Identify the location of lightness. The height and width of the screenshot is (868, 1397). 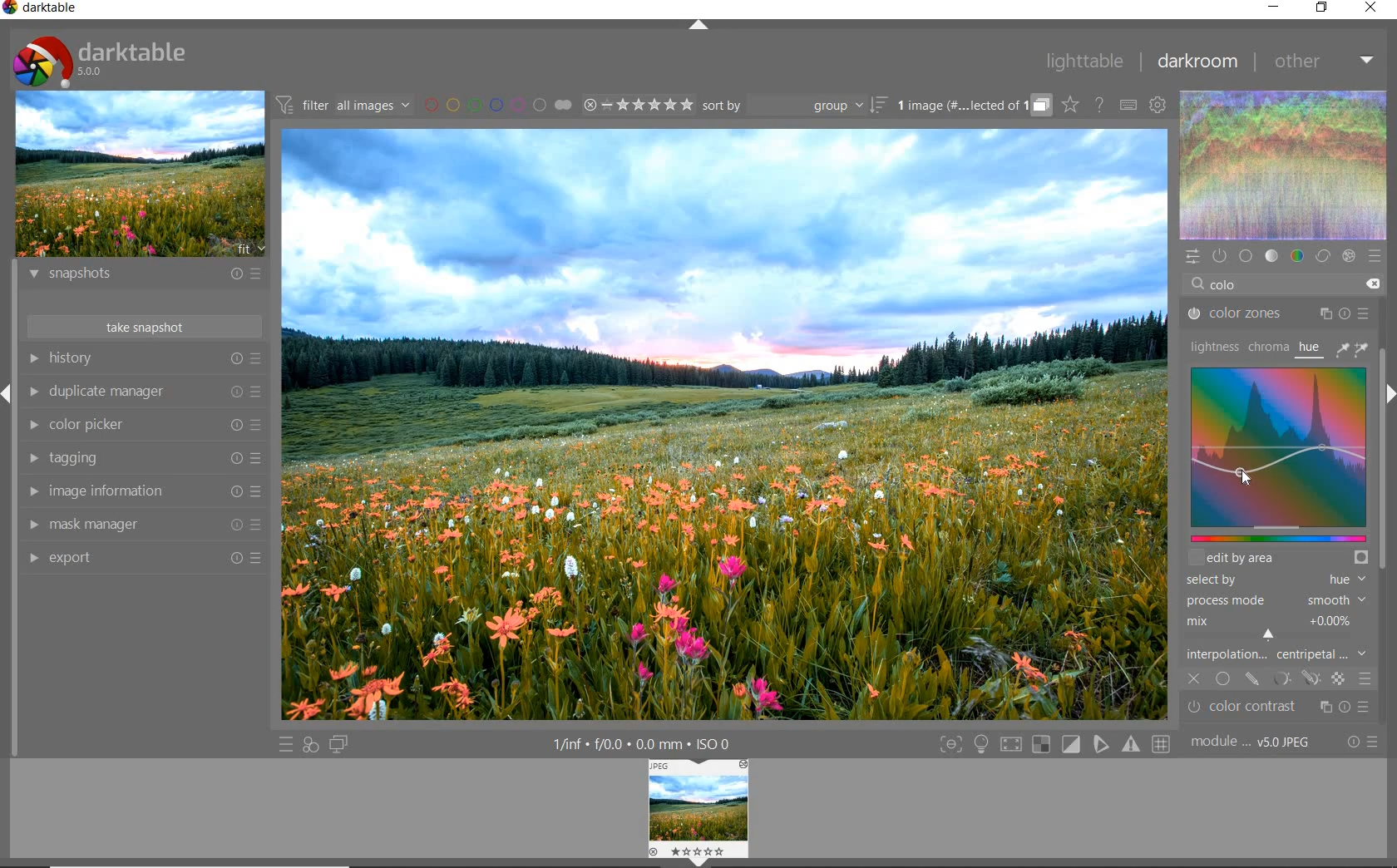
(1214, 346).